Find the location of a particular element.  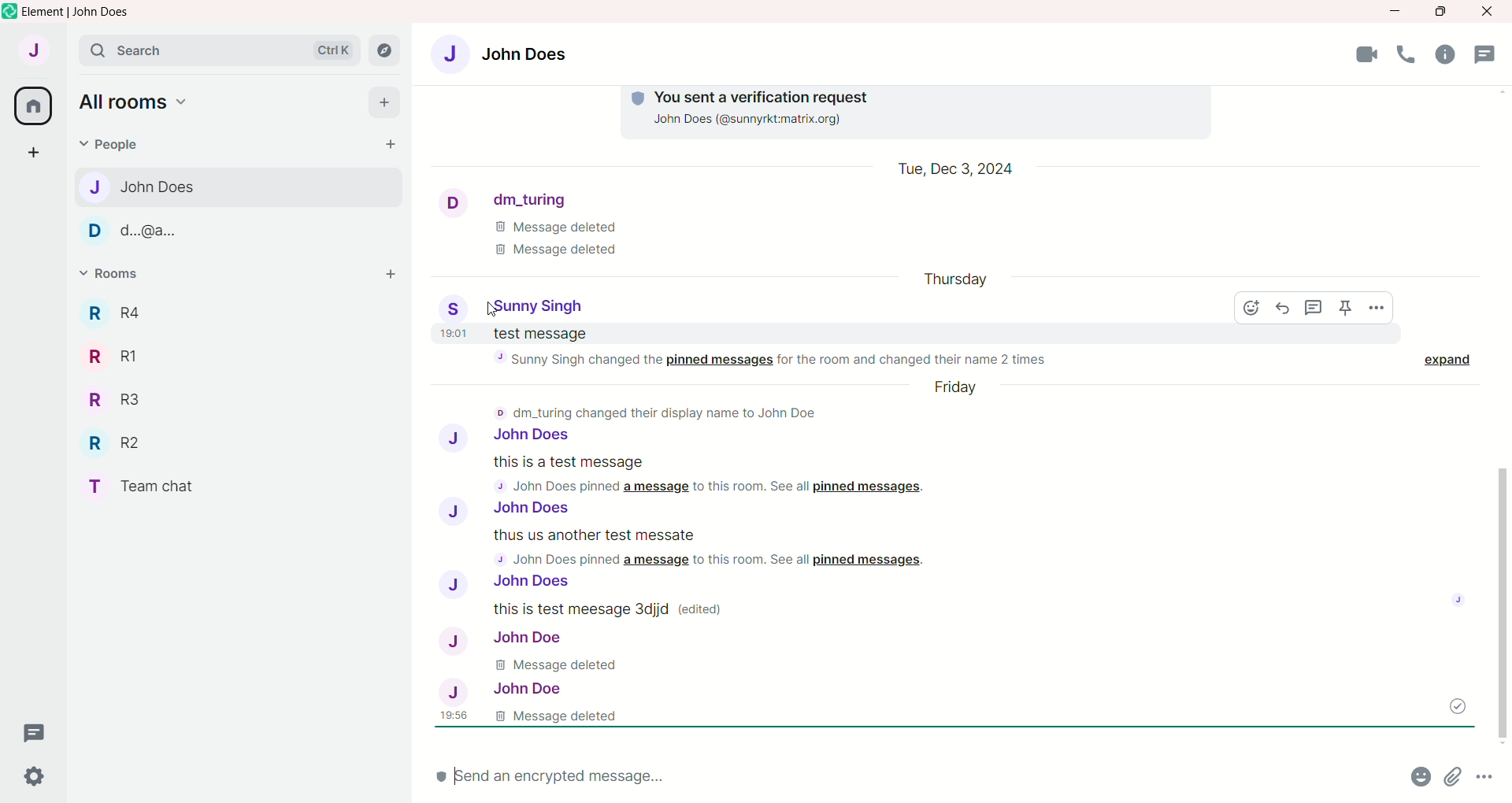

d..@a.. is located at coordinates (139, 231).